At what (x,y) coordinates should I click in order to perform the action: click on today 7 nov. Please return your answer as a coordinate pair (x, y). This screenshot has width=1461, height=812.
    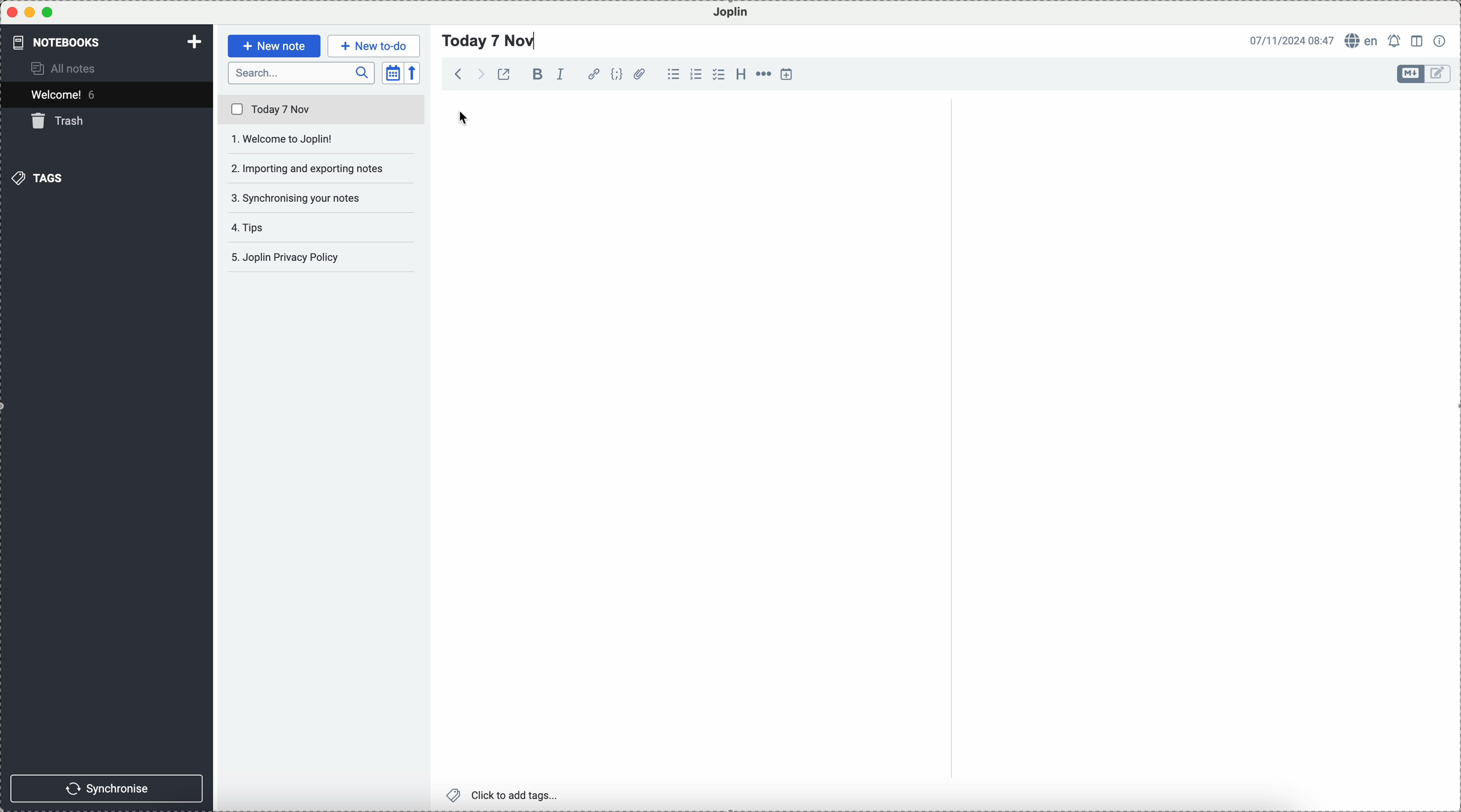
    Looking at the image, I should click on (322, 110).